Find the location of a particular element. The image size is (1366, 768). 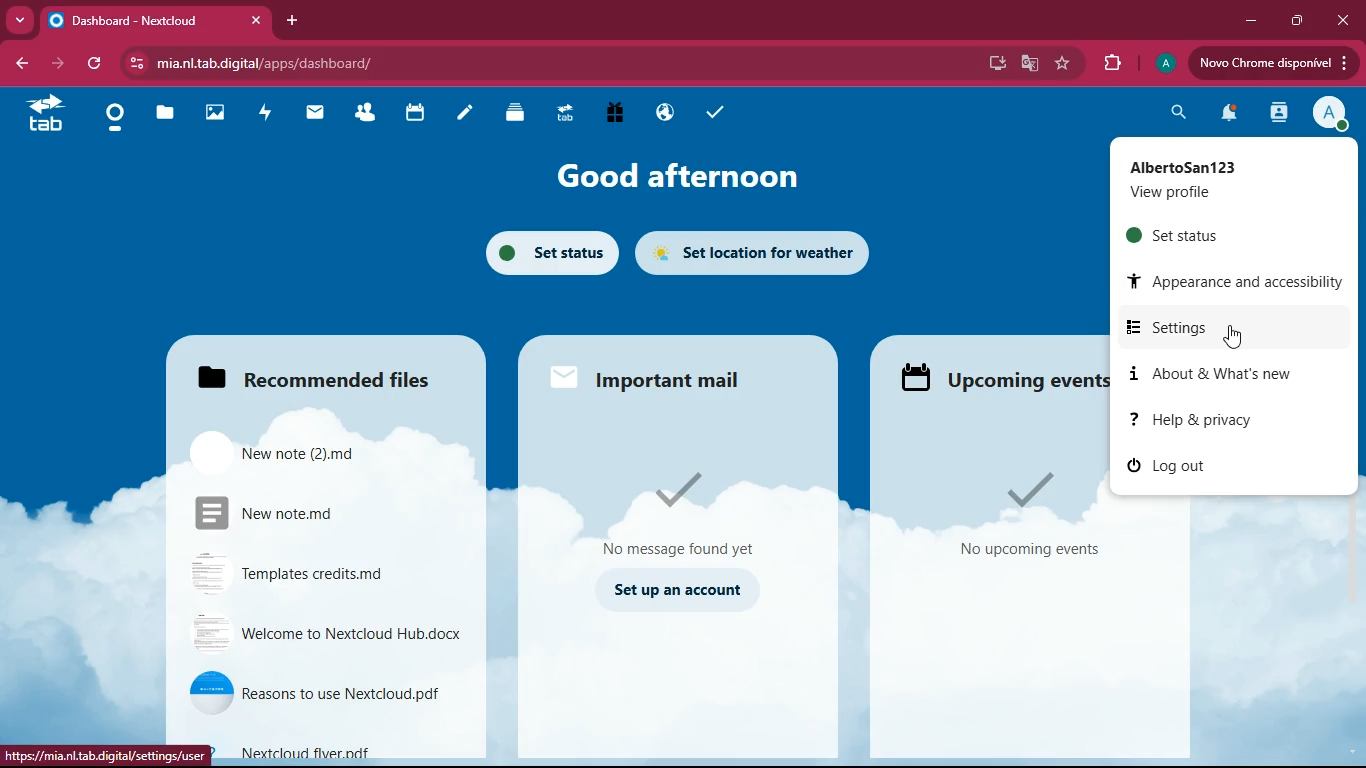

back is located at coordinates (20, 64).